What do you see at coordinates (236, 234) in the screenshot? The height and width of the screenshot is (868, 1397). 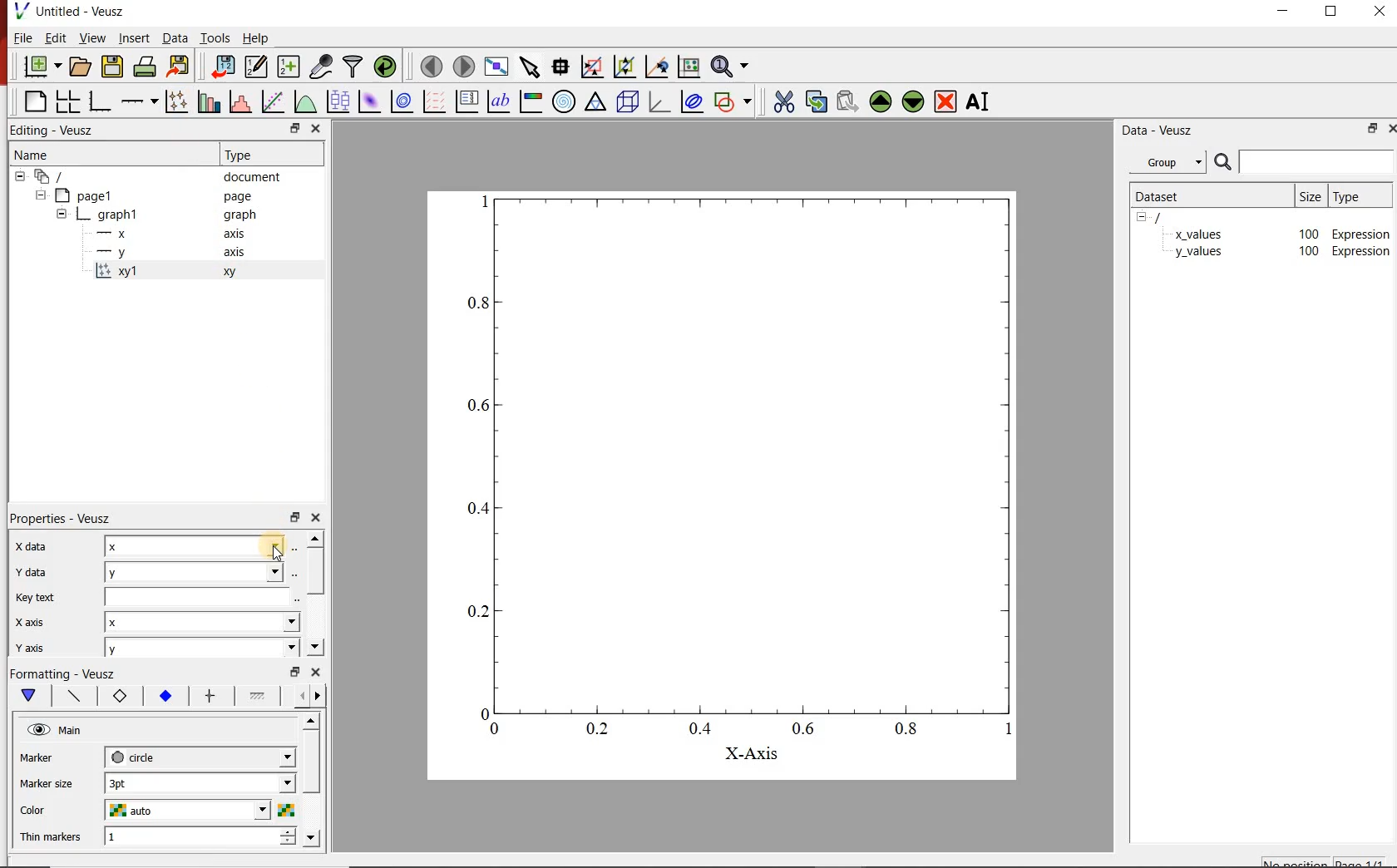 I see `axis` at bounding box center [236, 234].